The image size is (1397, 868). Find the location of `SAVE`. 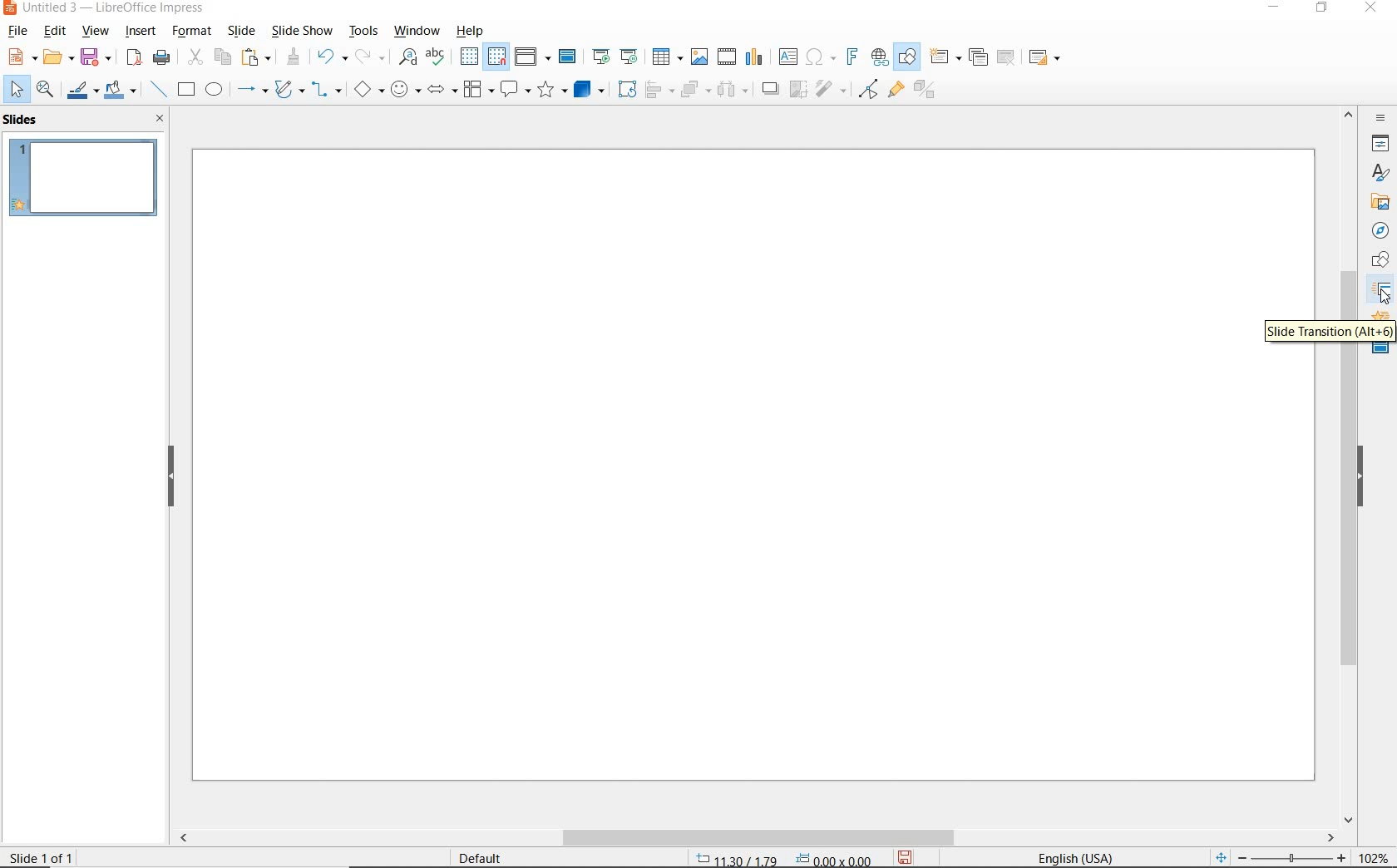

SAVE is located at coordinates (909, 856).